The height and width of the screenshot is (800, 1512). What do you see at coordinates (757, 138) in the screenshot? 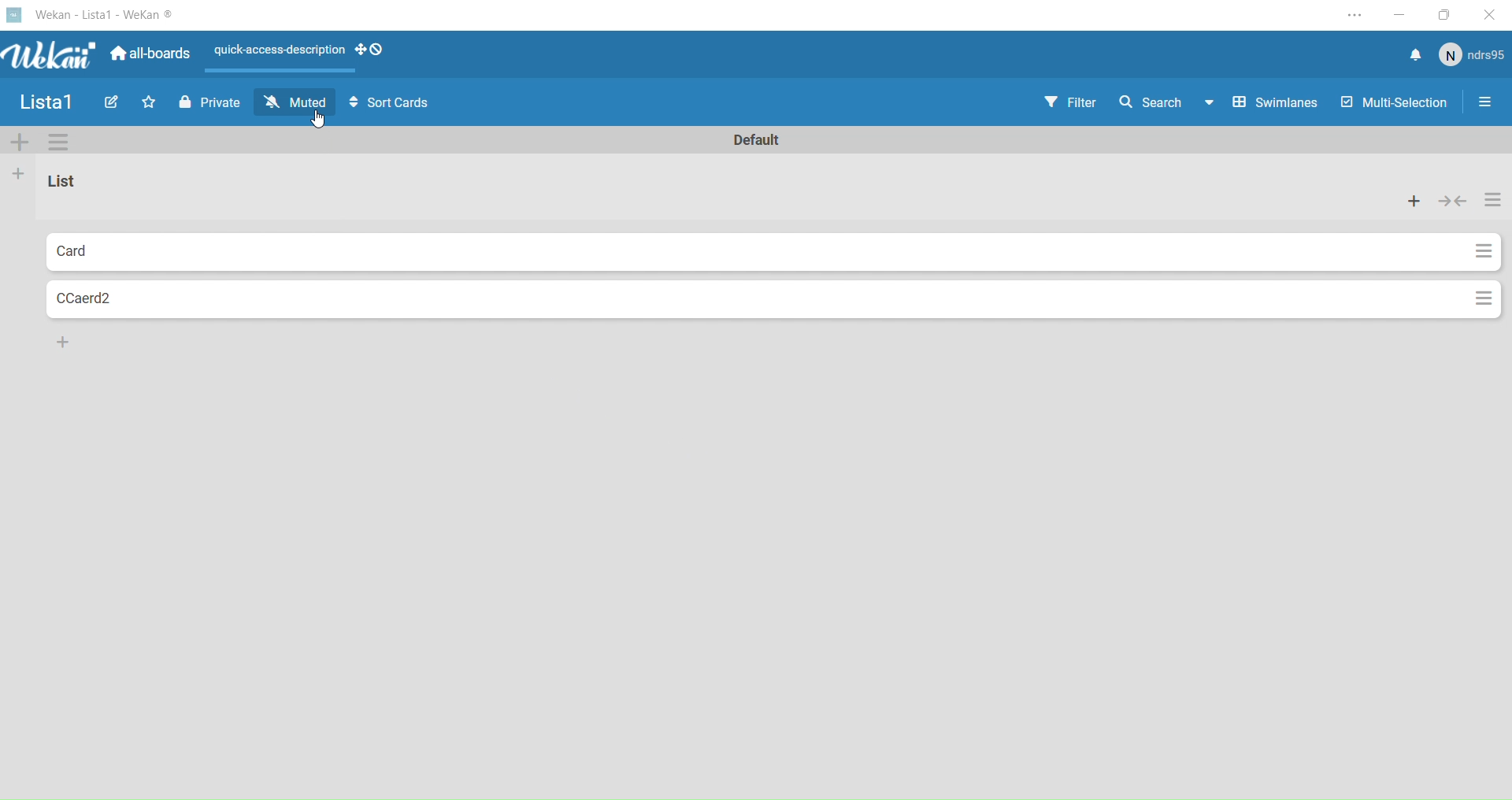
I see `Default` at bounding box center [757, 138].